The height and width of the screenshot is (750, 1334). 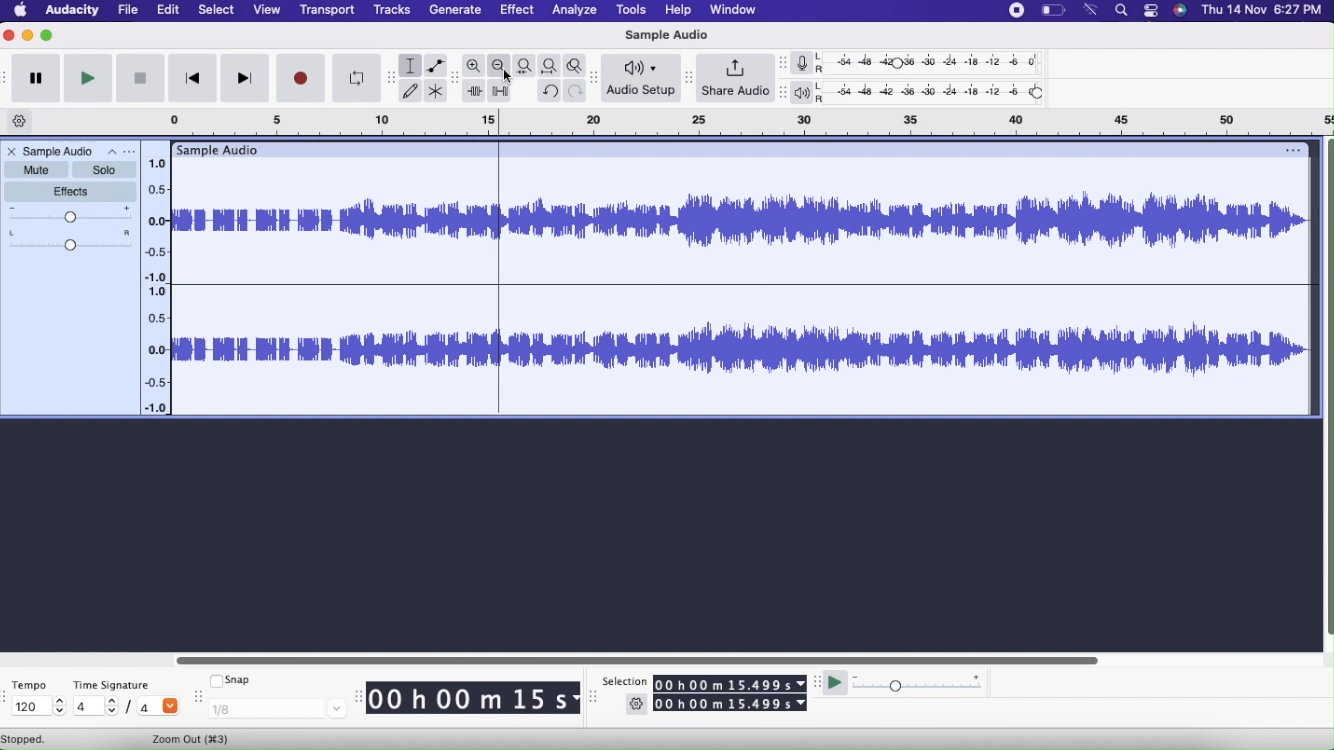 I want to click on Share Audio, so click(x=736, y=78).